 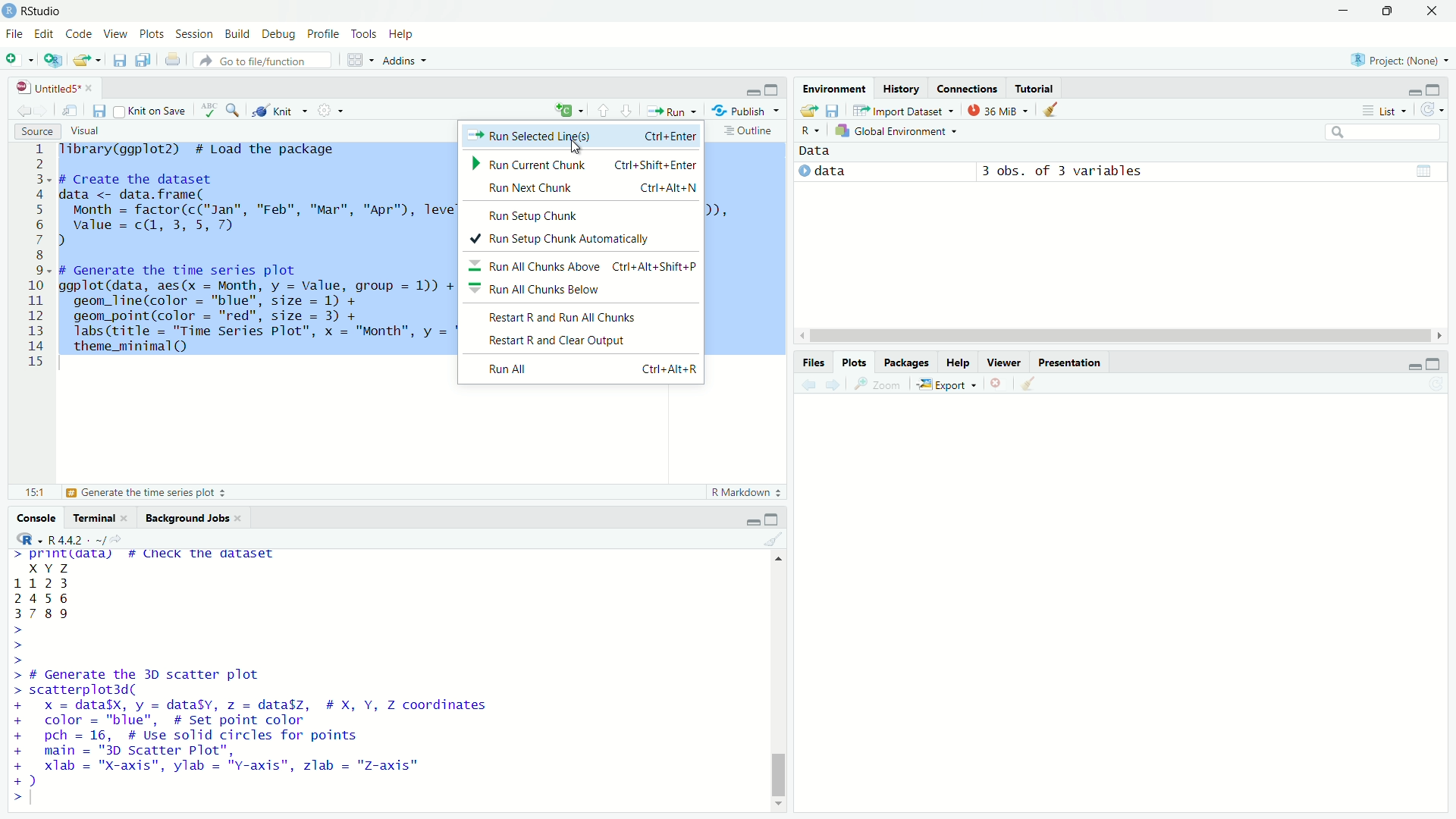 What do you see at coordinates (1441, 362) in the screenshot?
I see `maximize` at bounding box center [1441, 362].